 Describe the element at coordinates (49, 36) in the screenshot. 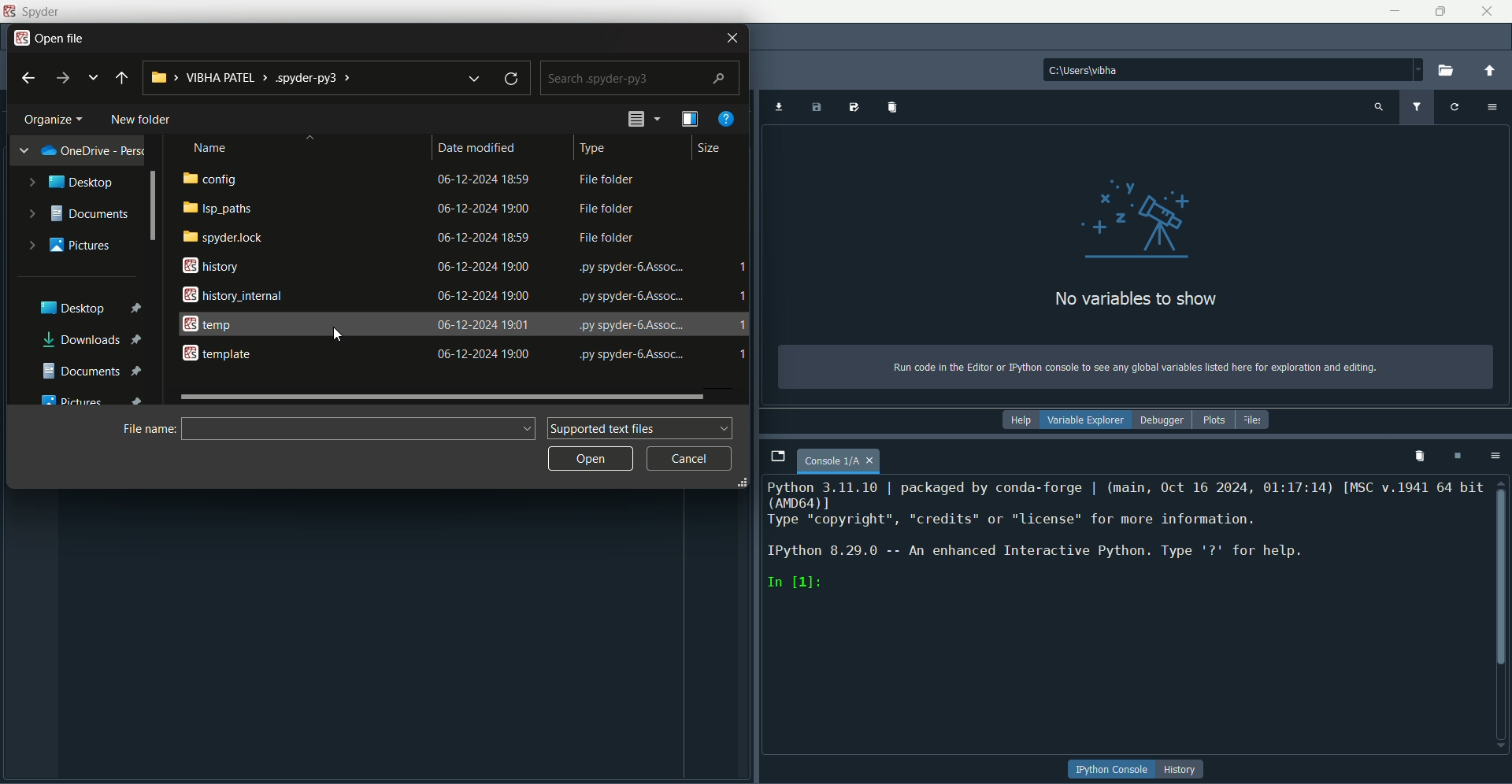

I see `open file` at that location.